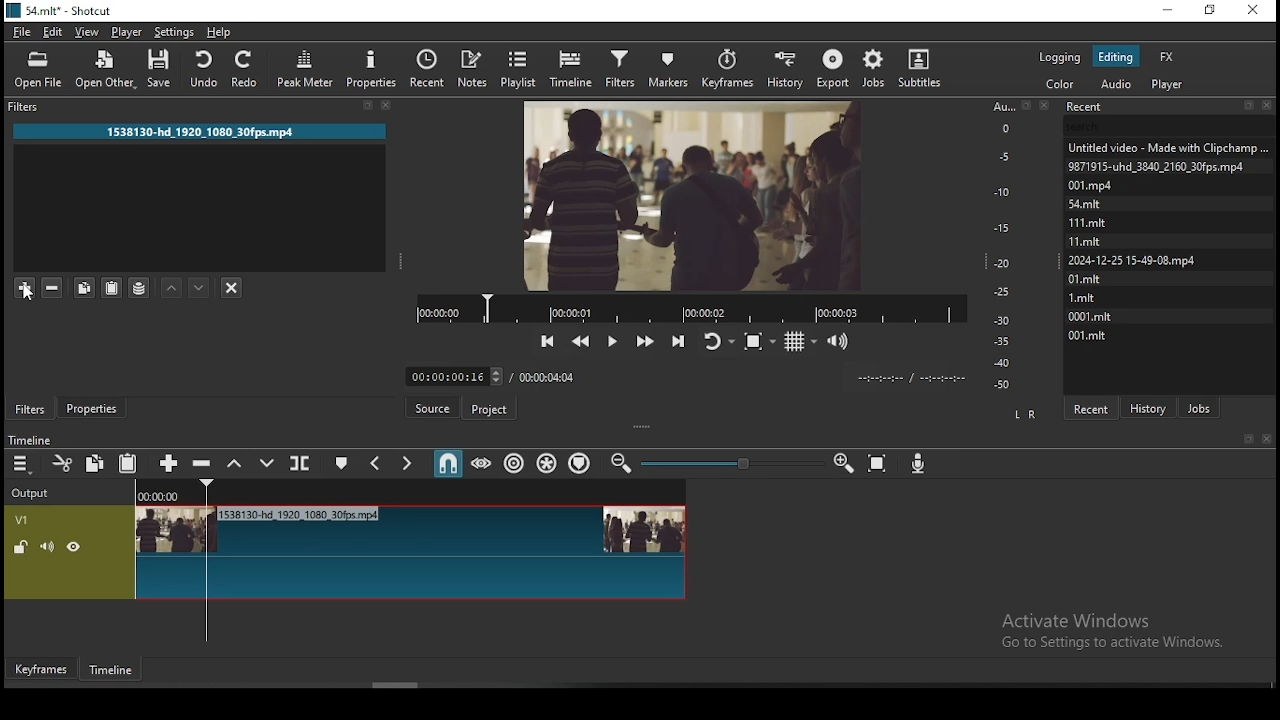  I want to click on 9871915-uhd 3840 2160 30fps.mpd, so click(1160, 166).